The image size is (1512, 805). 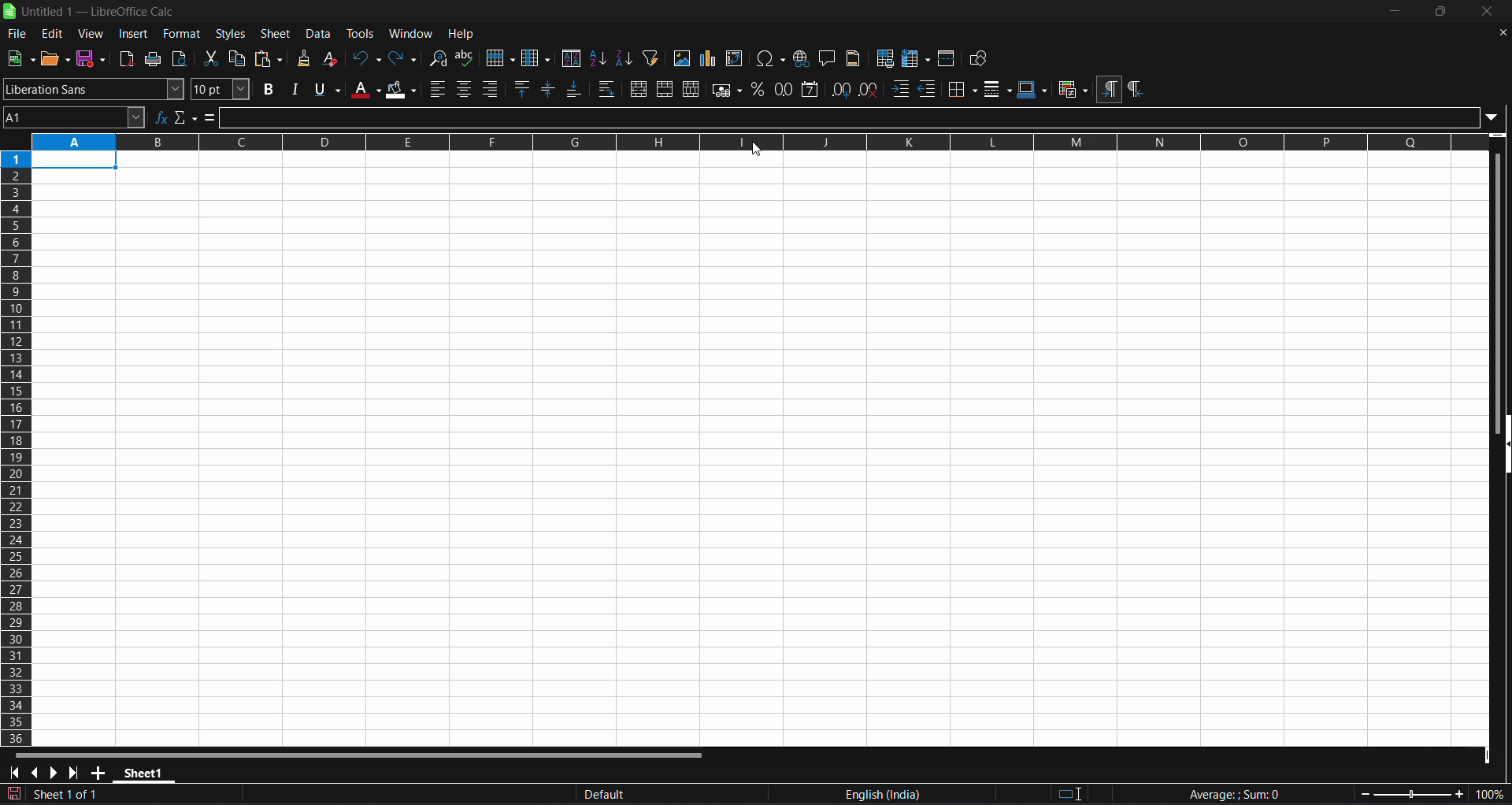 I want to click on insert hyperlink, so click(x=803, y=58).